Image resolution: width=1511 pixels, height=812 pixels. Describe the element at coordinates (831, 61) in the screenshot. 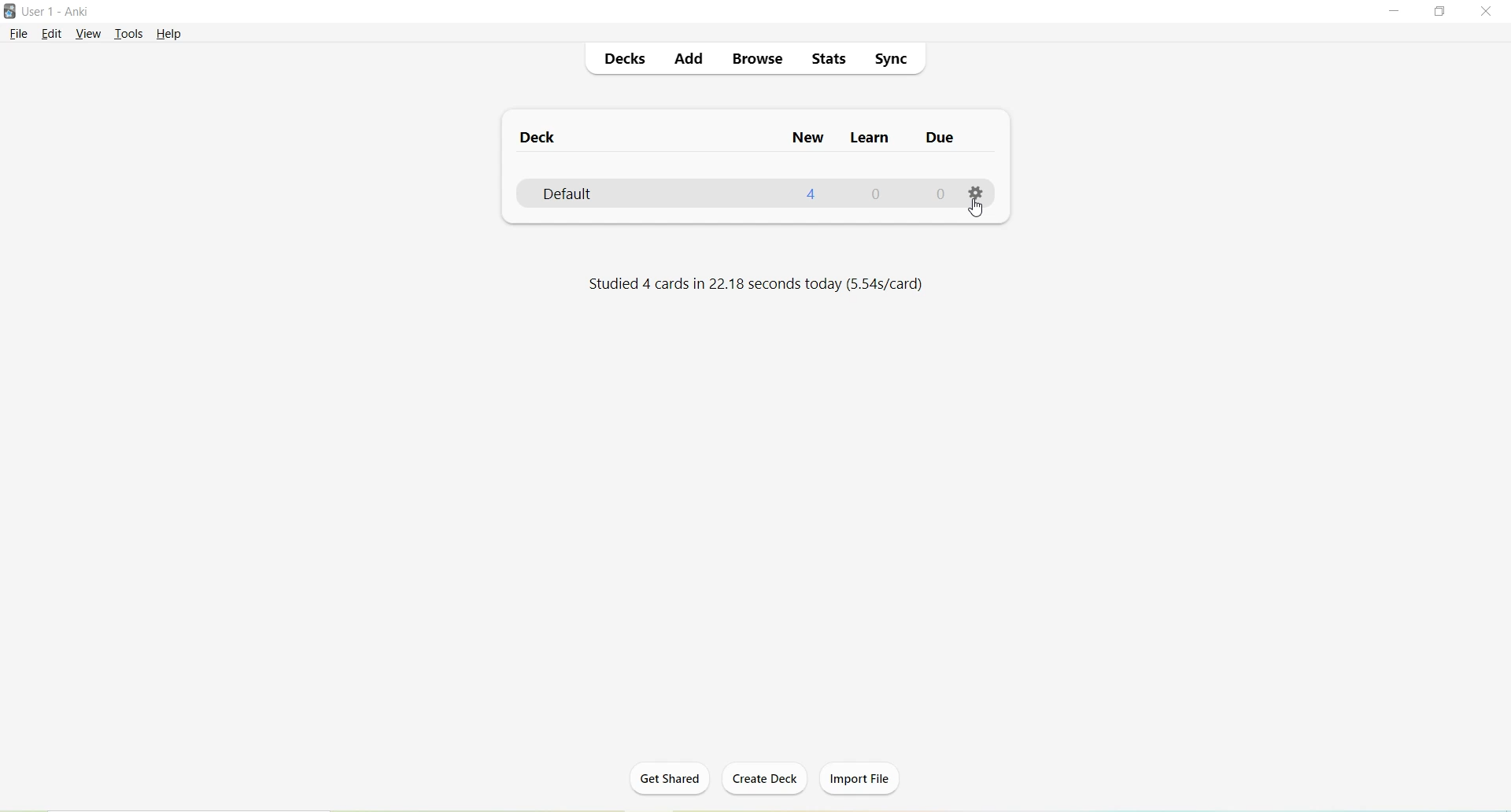

I see `Stats` at that location.